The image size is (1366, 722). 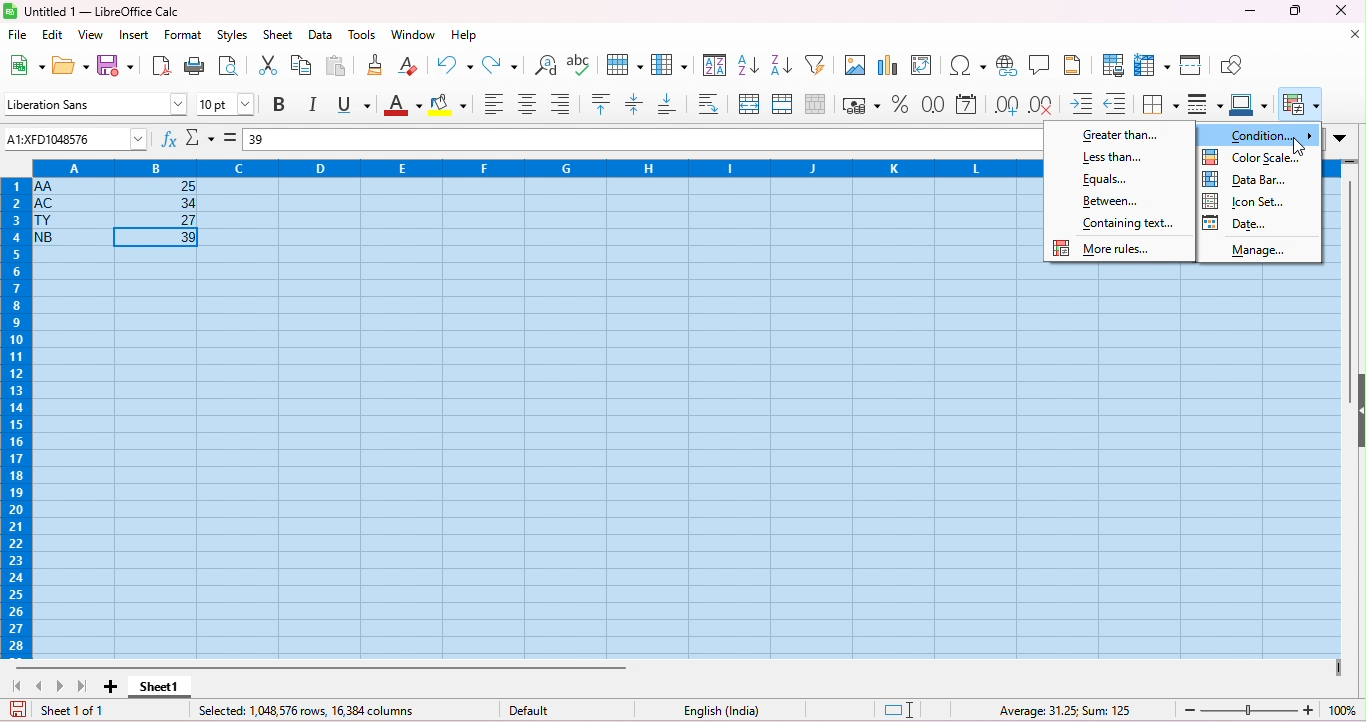 I want to click on insert comment, so click(x=1042, y=64).